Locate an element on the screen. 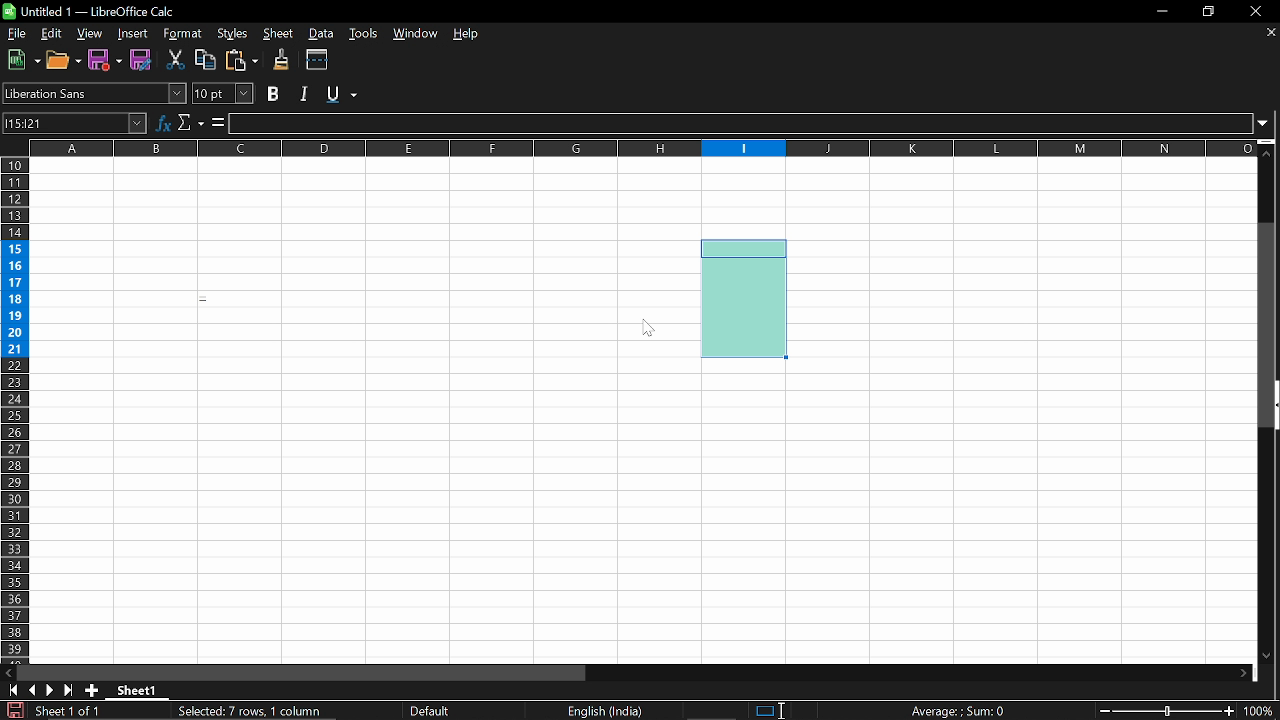 The image size is (1280, 720). Got to first sheet is located at coordinates (14, 690).